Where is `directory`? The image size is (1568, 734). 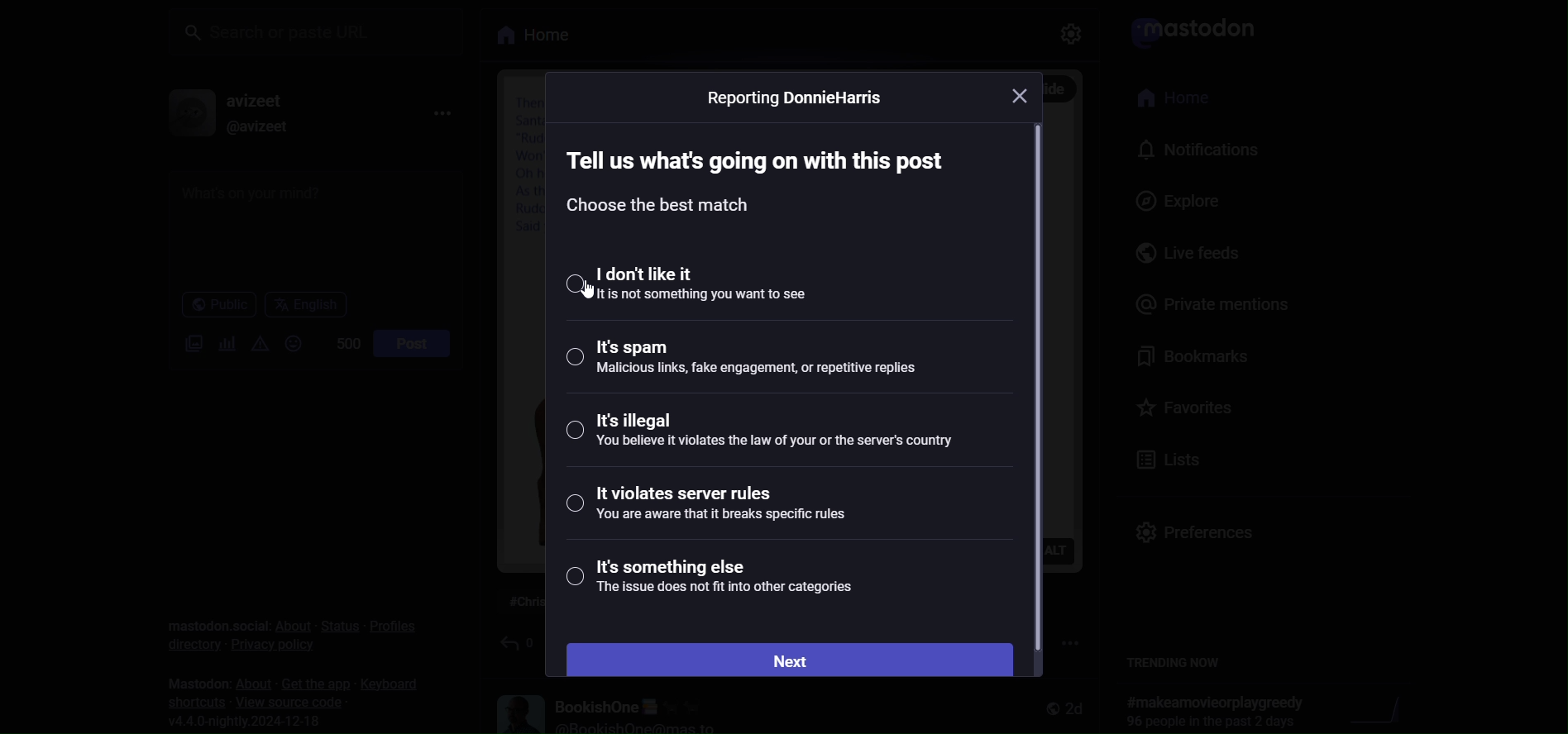
directory is located at coordinates (185, 643).